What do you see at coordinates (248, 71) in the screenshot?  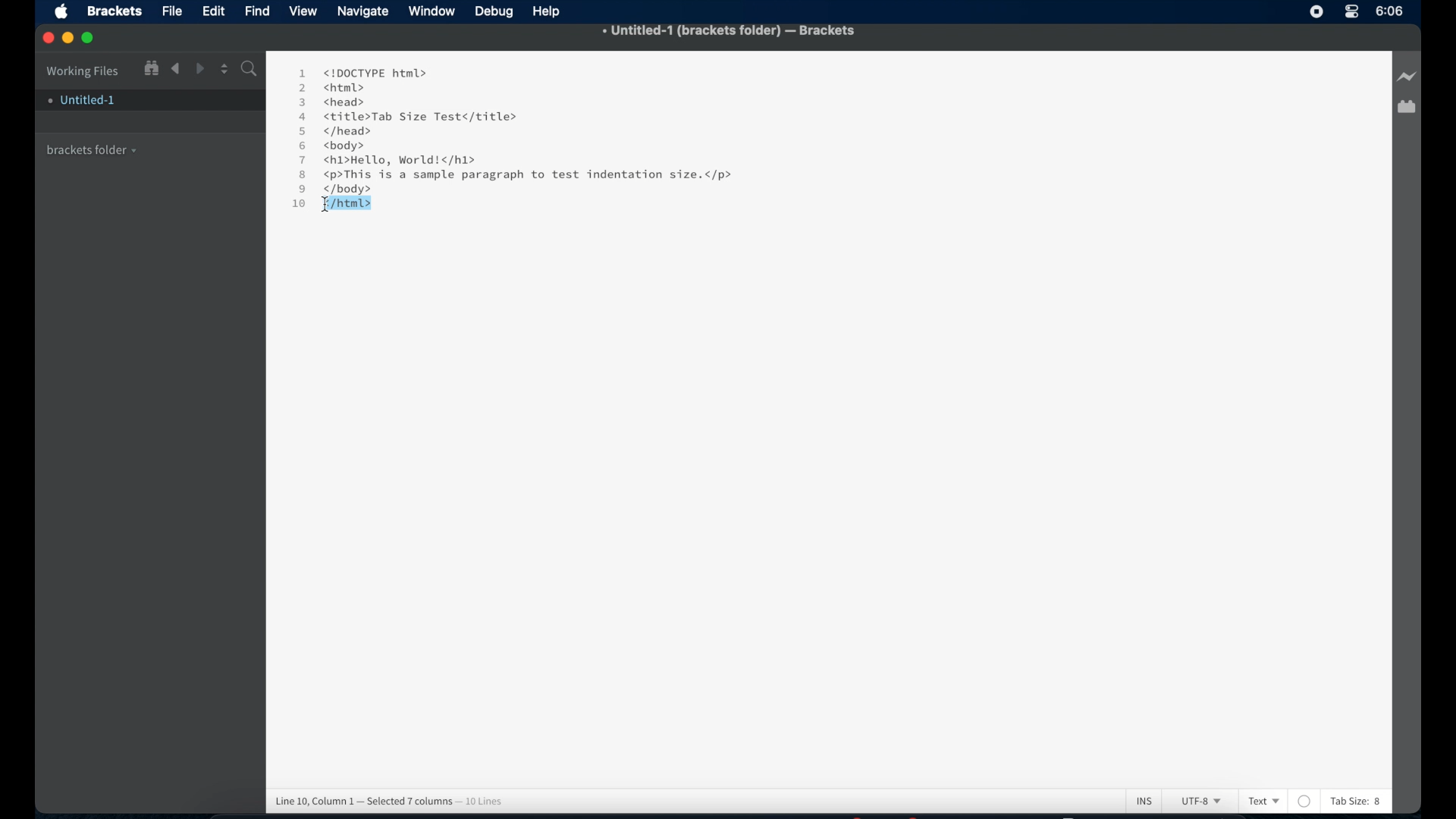 I see `Find` at bounding box center [248, 71].